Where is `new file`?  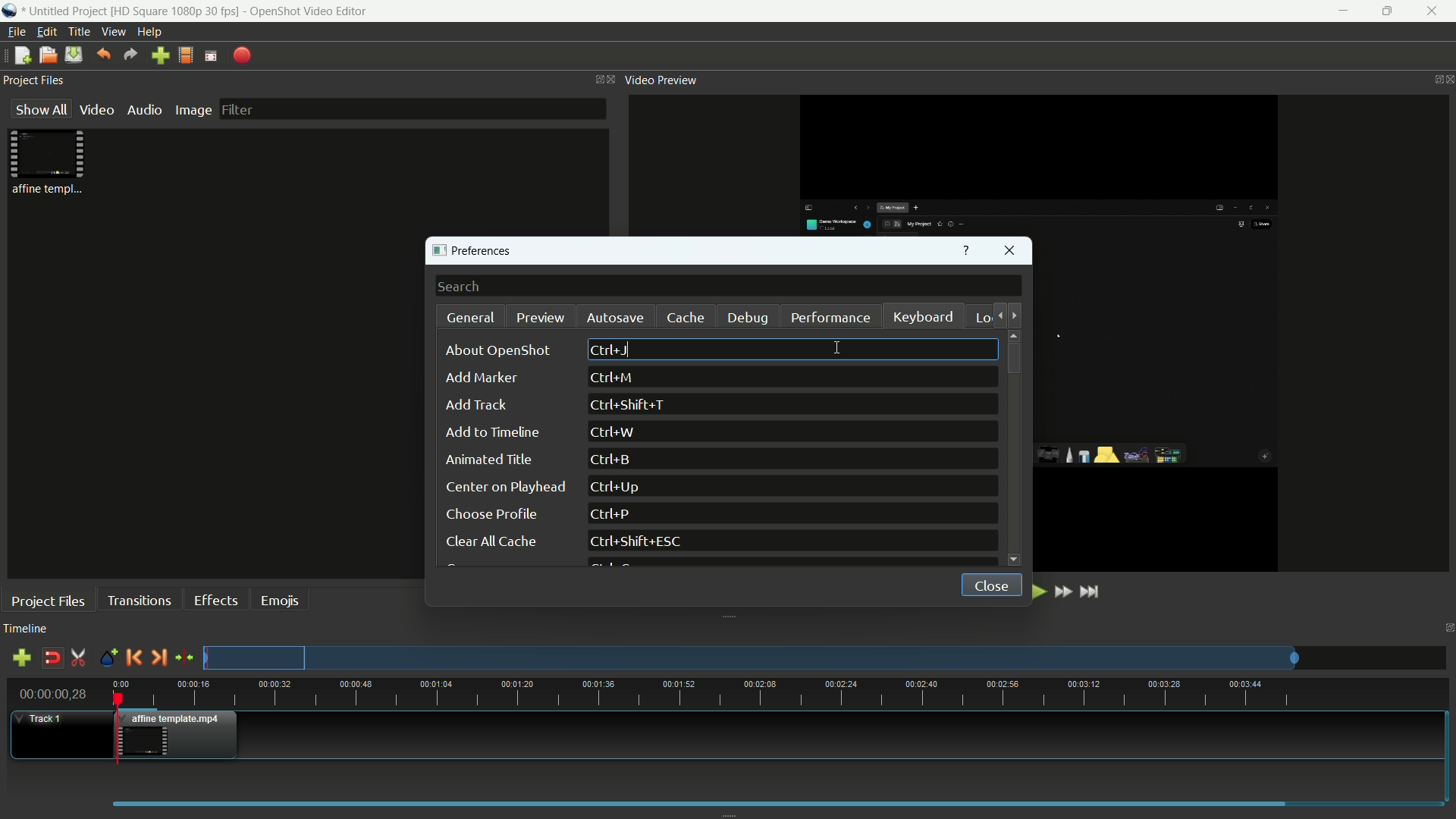 new file is located at coordinates (20, 56).